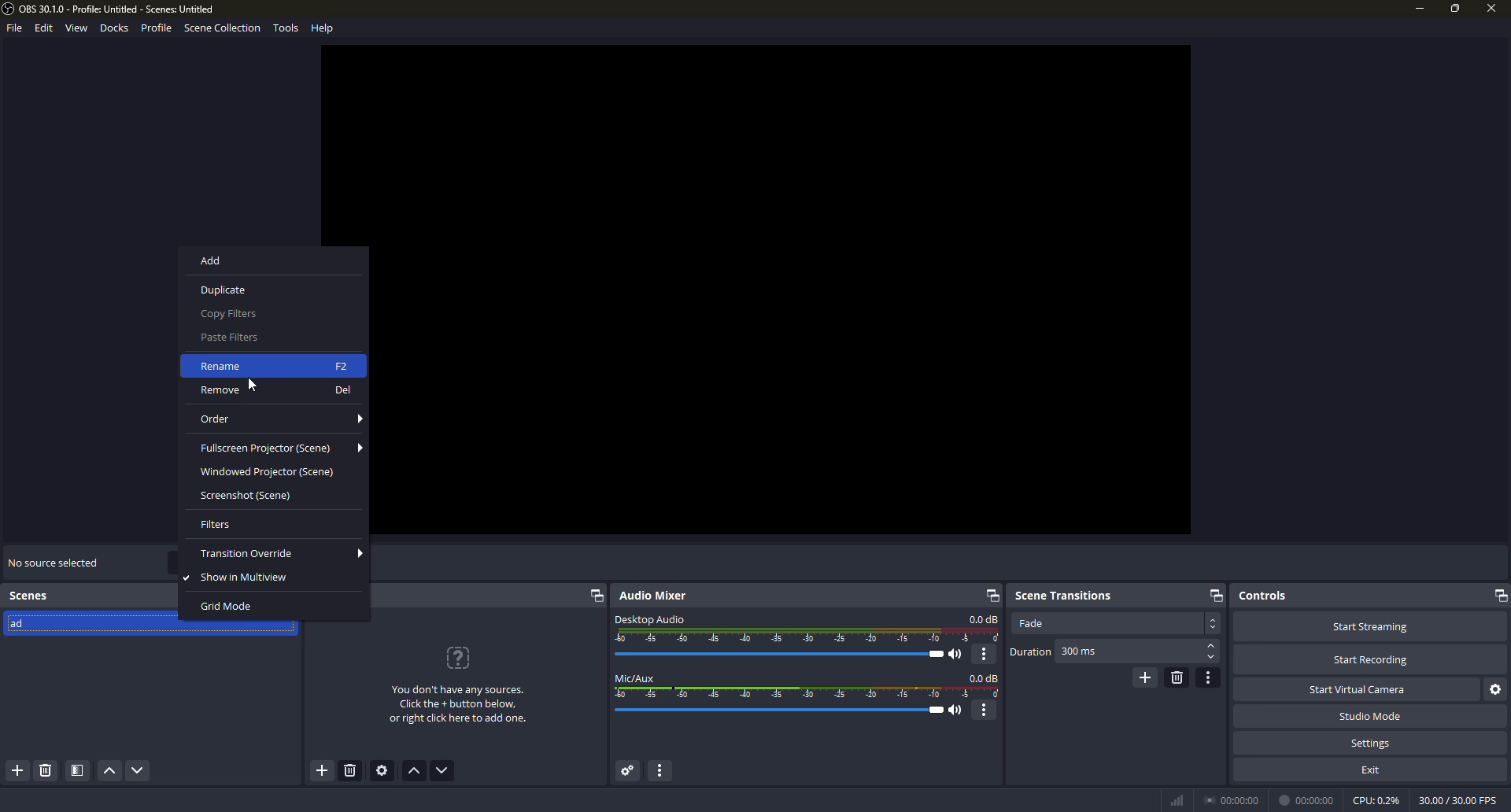  Describe the element at coordinates (442, 771) in the screenshot. I see `move source down` at that location.